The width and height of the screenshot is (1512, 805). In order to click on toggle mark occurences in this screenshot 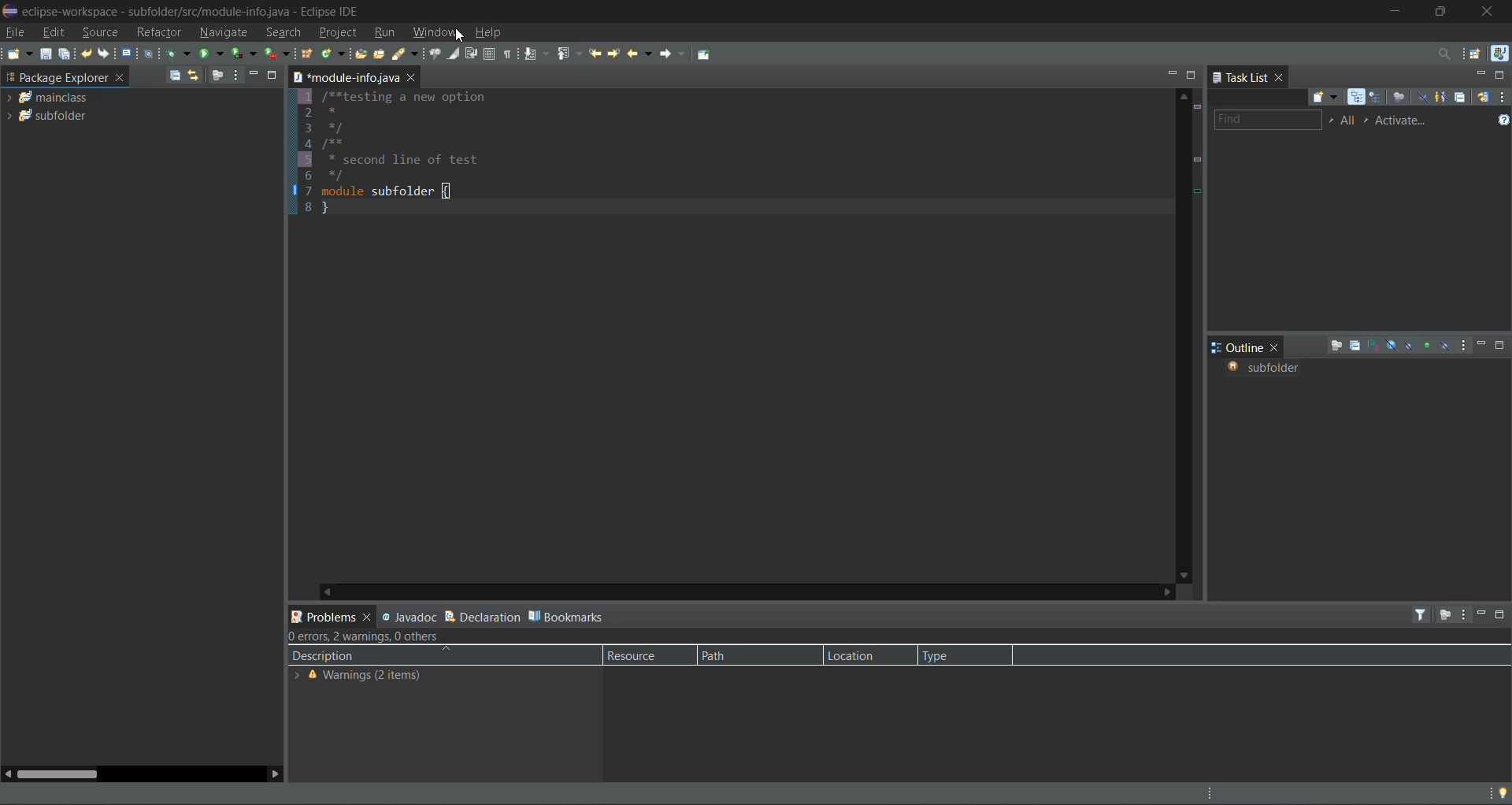, I will do `click(456, 55)`.